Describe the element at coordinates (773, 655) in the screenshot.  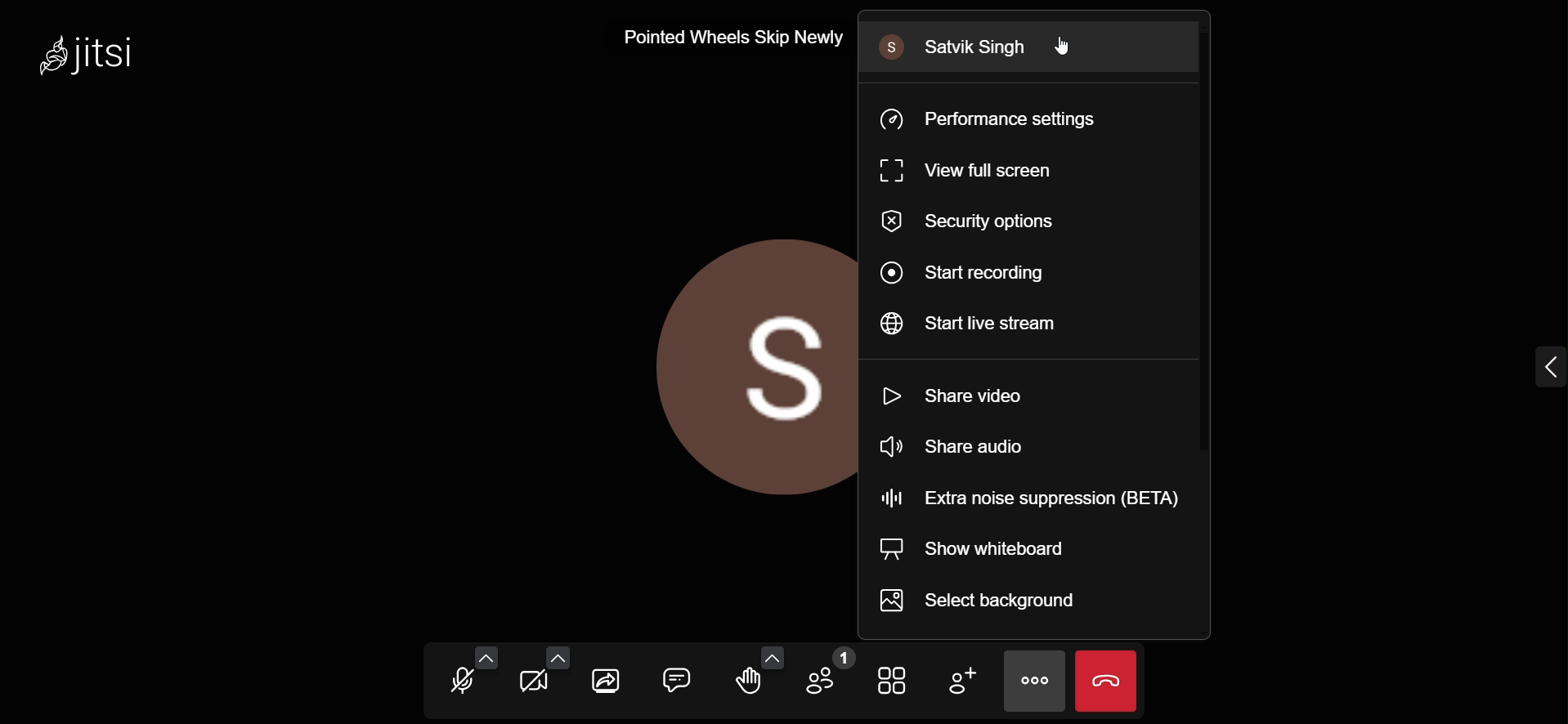
I see `more reaction setting` at that location.